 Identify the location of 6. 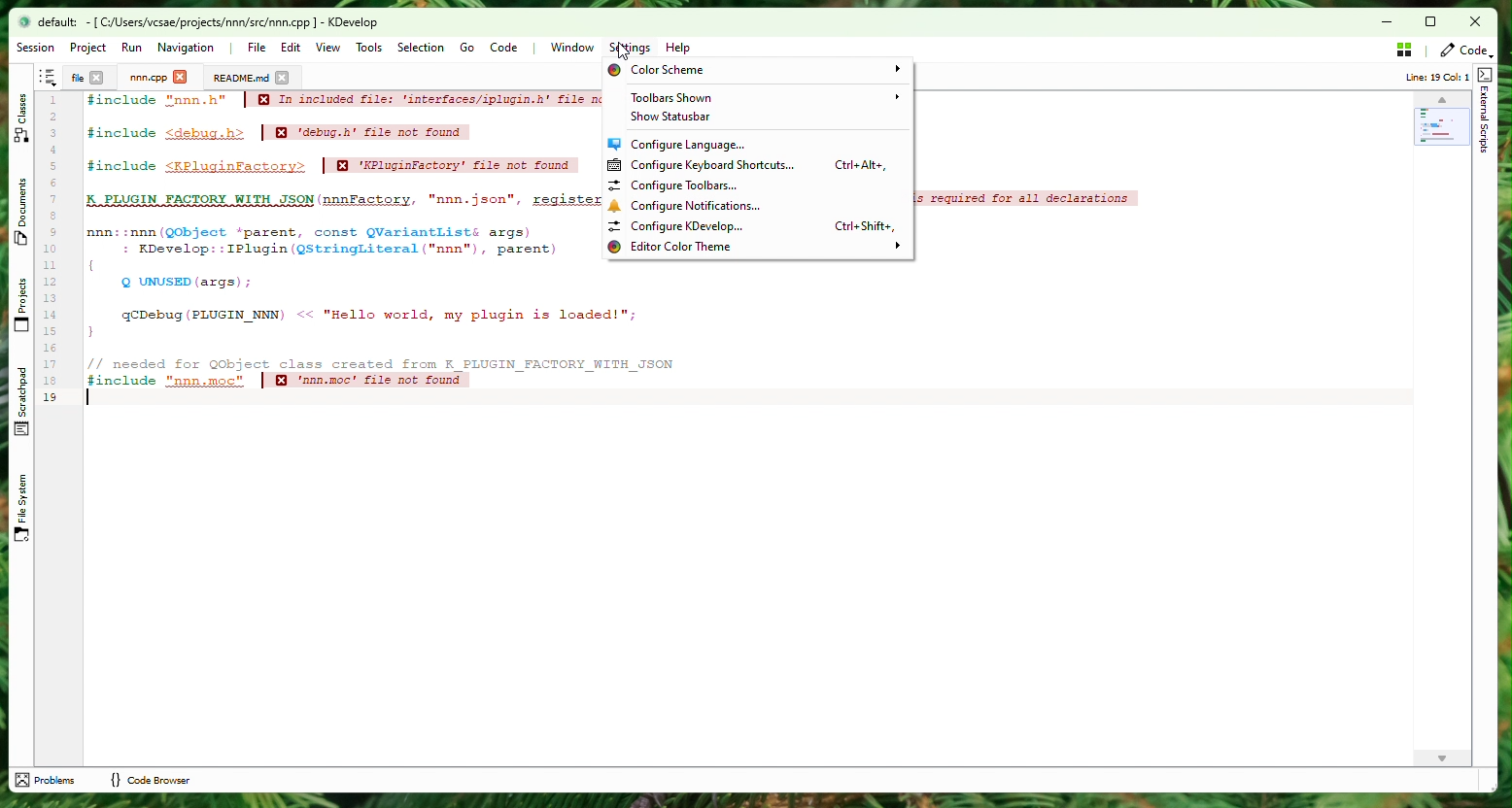
(53, 183).